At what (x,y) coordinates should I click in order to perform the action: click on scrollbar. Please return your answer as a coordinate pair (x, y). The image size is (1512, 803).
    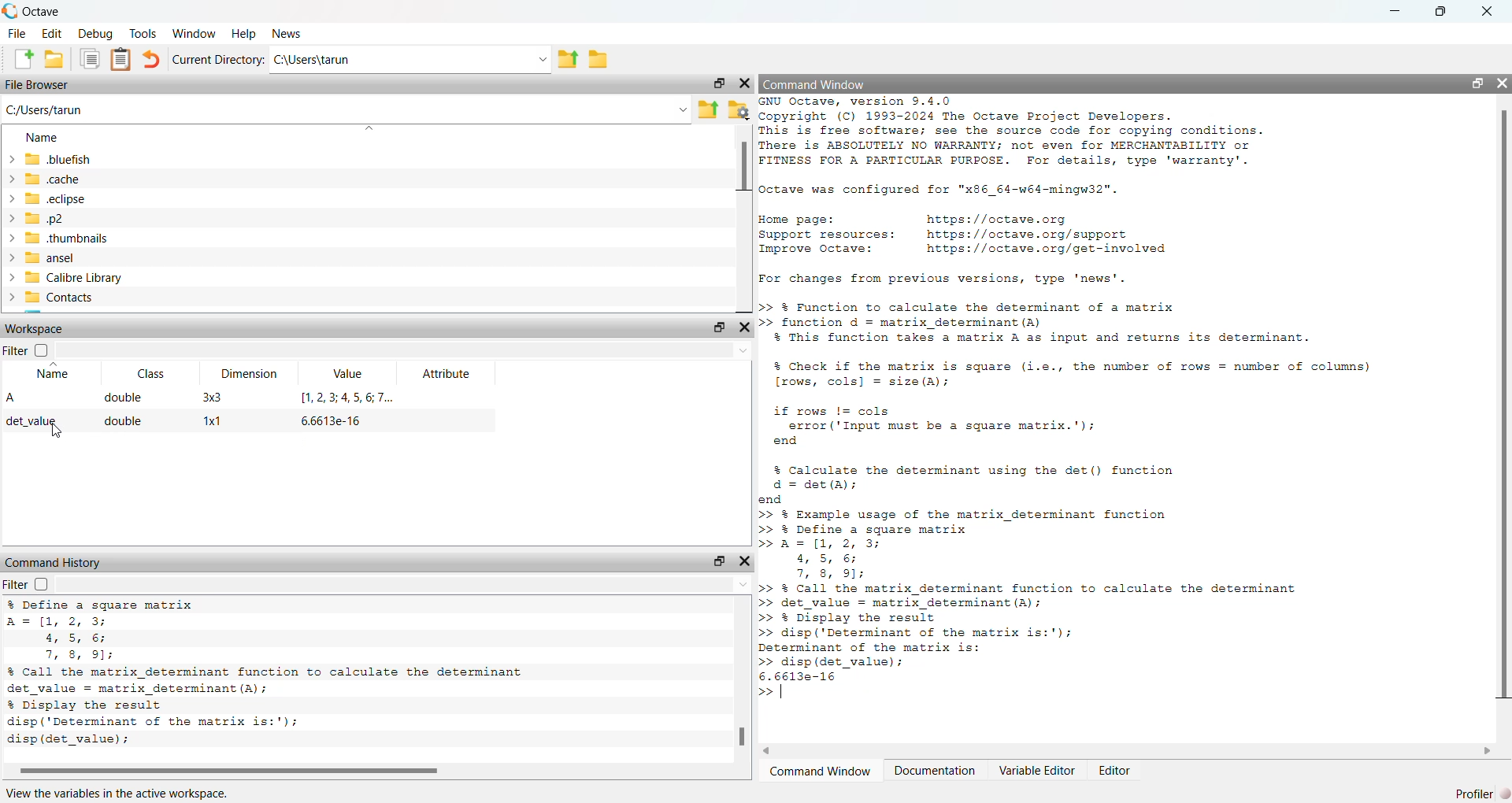
    Looking at the image, I should click on (741, 216).